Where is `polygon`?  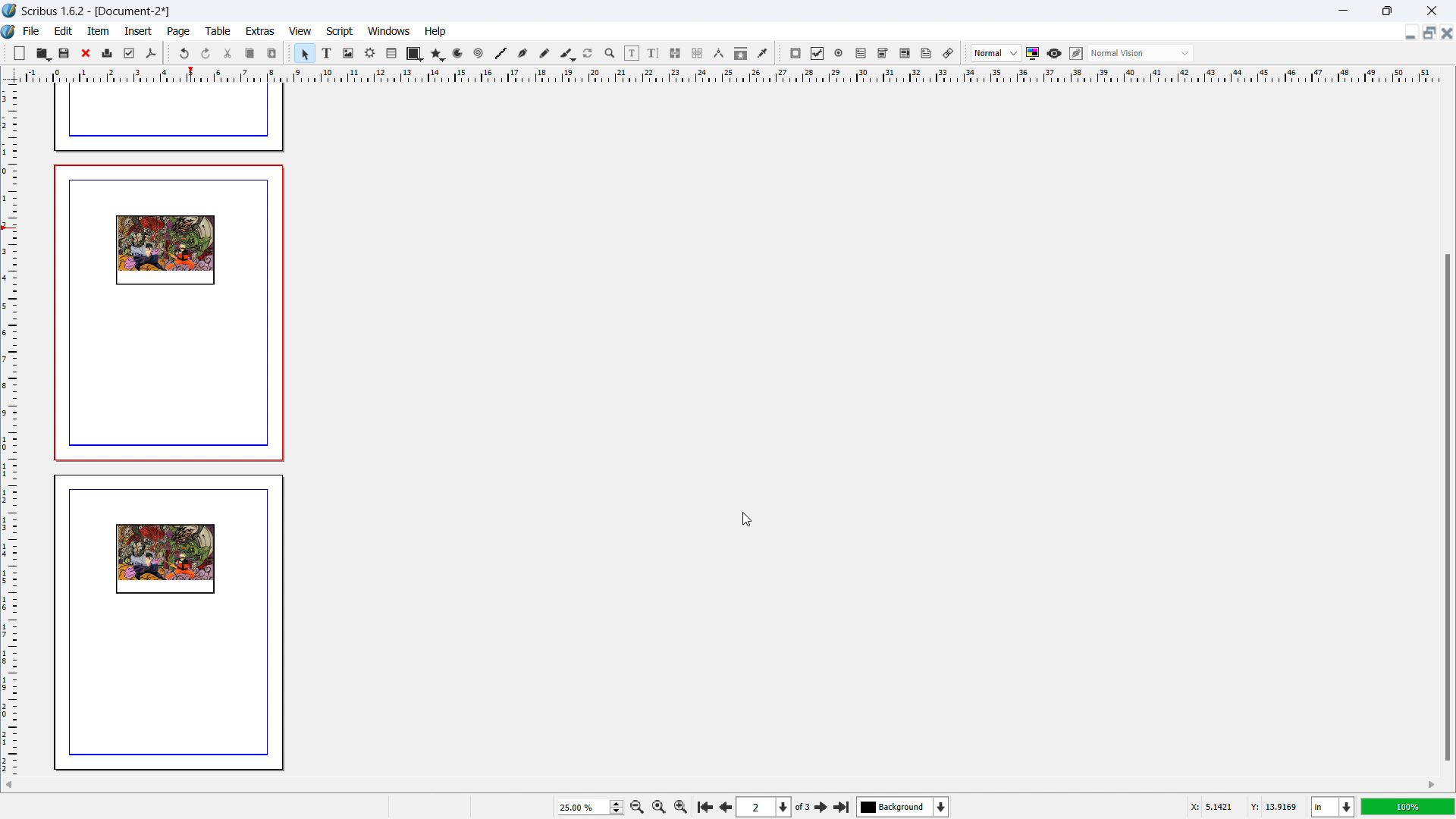 polygon is located at coordinates (438, 54).